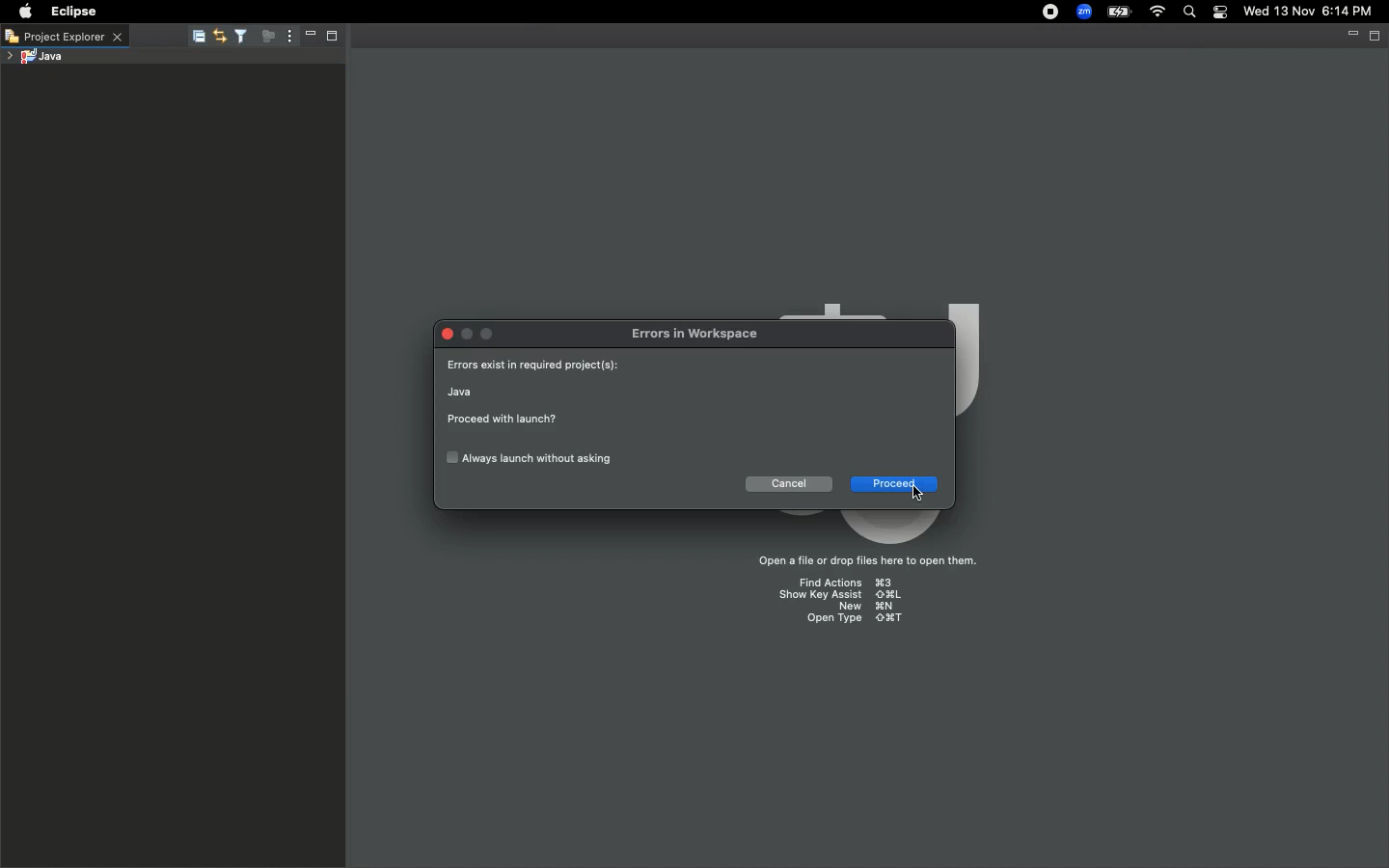 This screenshot has width=1389, height=868. What do you see at coordinates (1353, 38) in the screenshot?
I see `minimize` at bounding box center [1353, 38].